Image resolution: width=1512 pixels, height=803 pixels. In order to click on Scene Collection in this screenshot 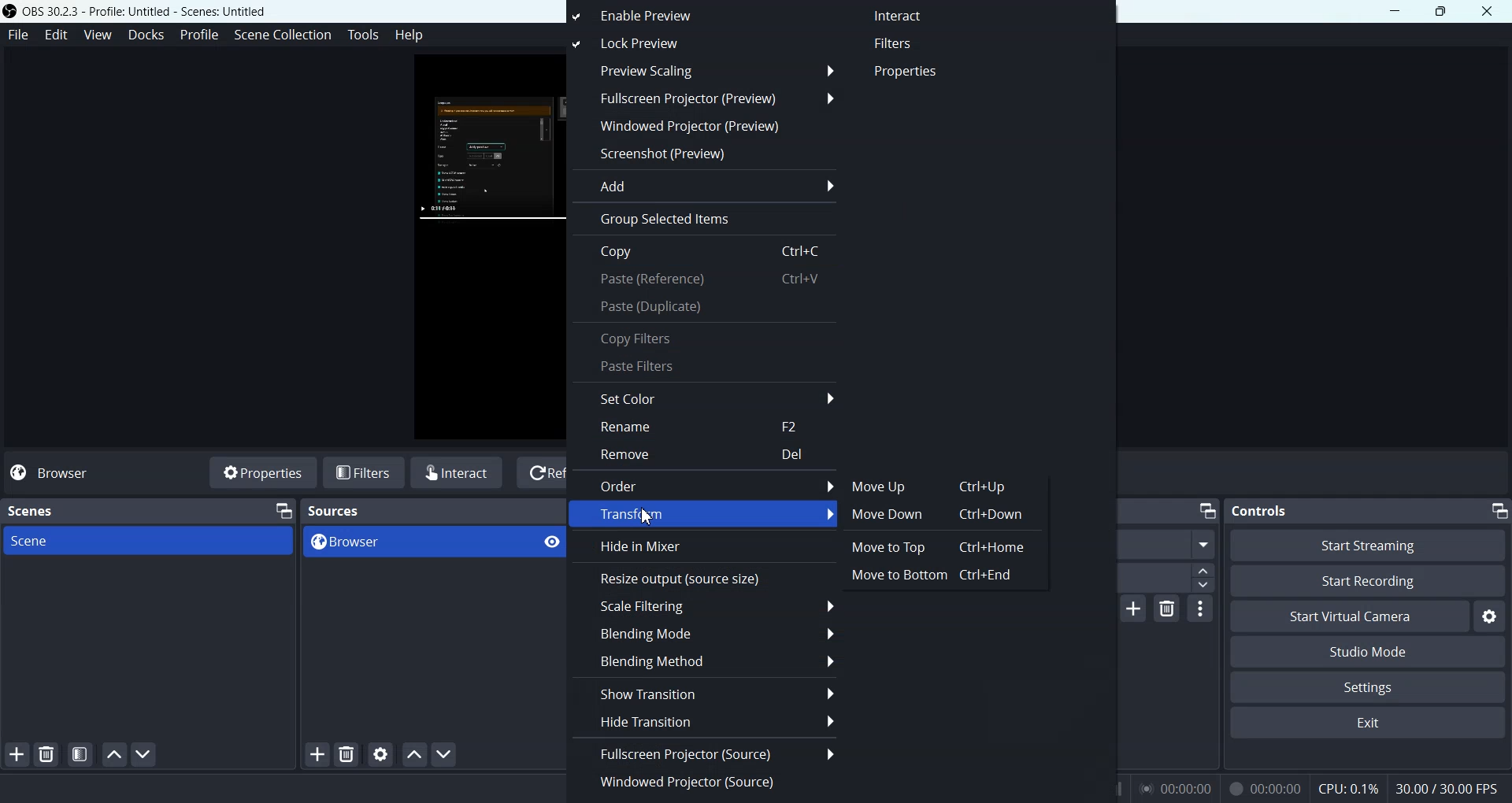, I will do `click(282, 35)`.